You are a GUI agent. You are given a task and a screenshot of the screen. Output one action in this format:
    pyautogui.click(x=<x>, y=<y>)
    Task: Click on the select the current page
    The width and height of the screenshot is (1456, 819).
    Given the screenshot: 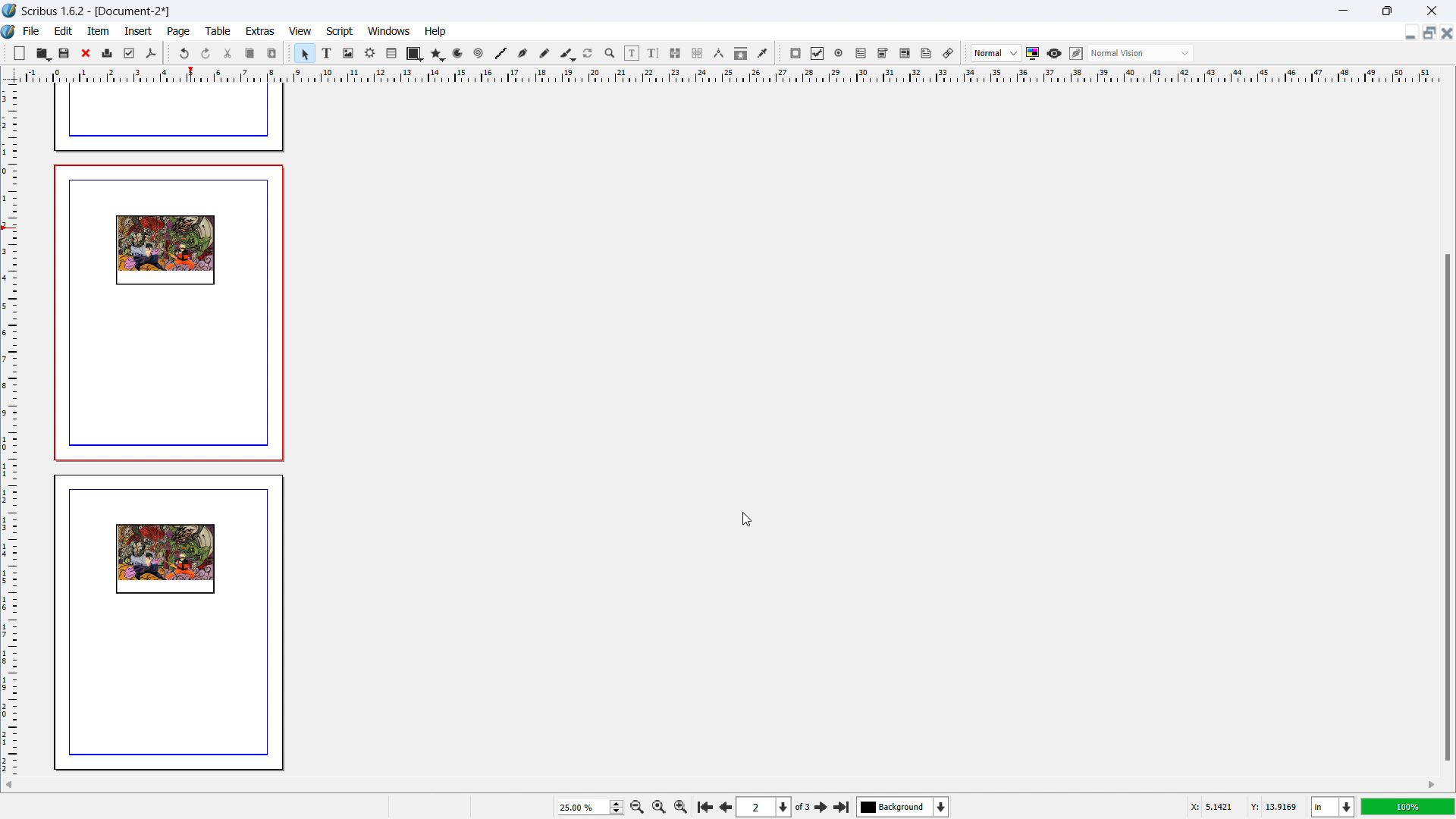 What is the action you would take?
    pyautogui.click(x=764, y=808)
    